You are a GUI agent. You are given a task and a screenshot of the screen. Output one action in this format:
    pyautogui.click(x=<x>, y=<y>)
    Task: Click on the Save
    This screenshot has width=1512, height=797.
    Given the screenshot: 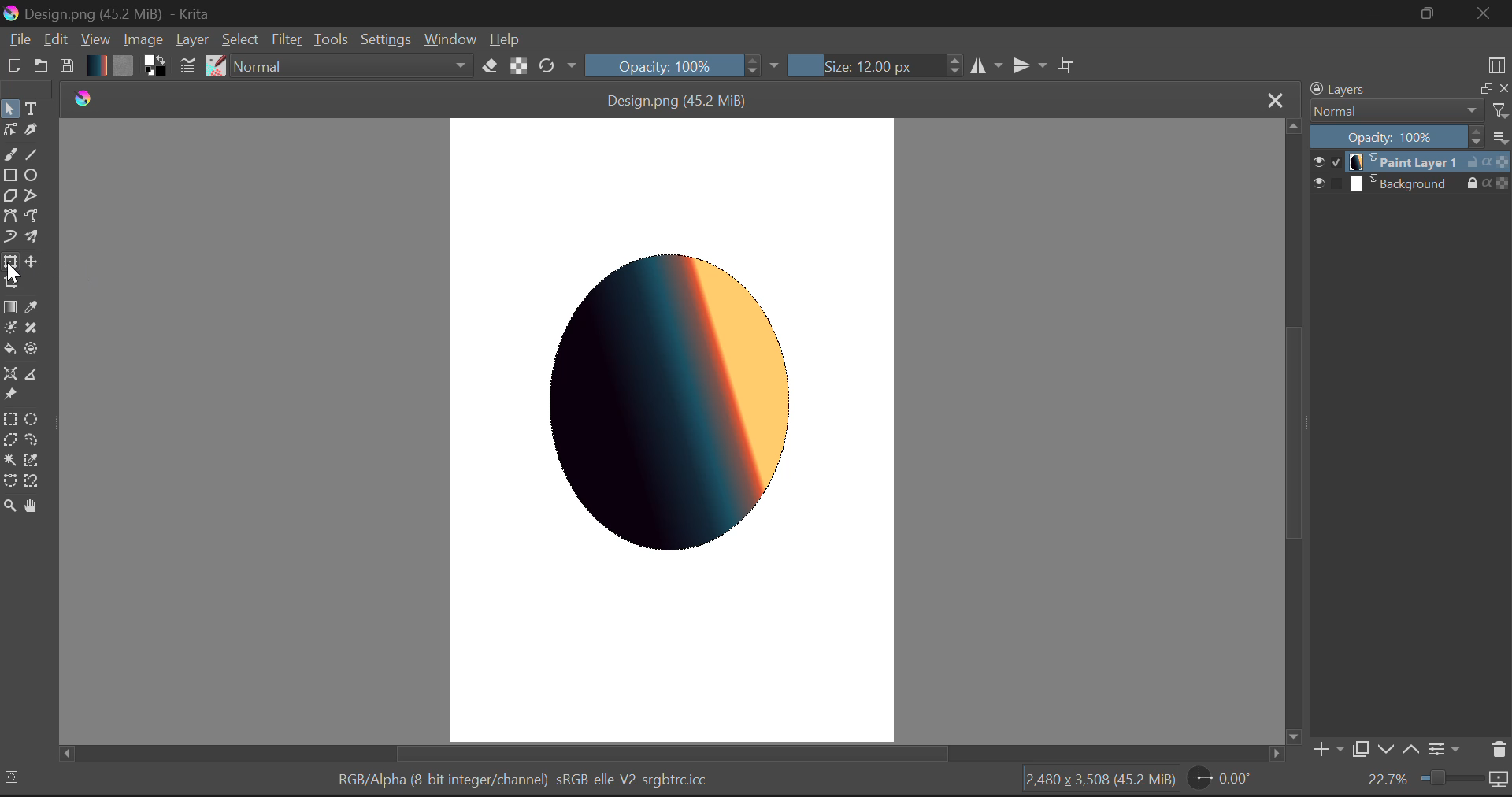 What is the action you would take?
    pyautogui.click(x=66, y=66)
    